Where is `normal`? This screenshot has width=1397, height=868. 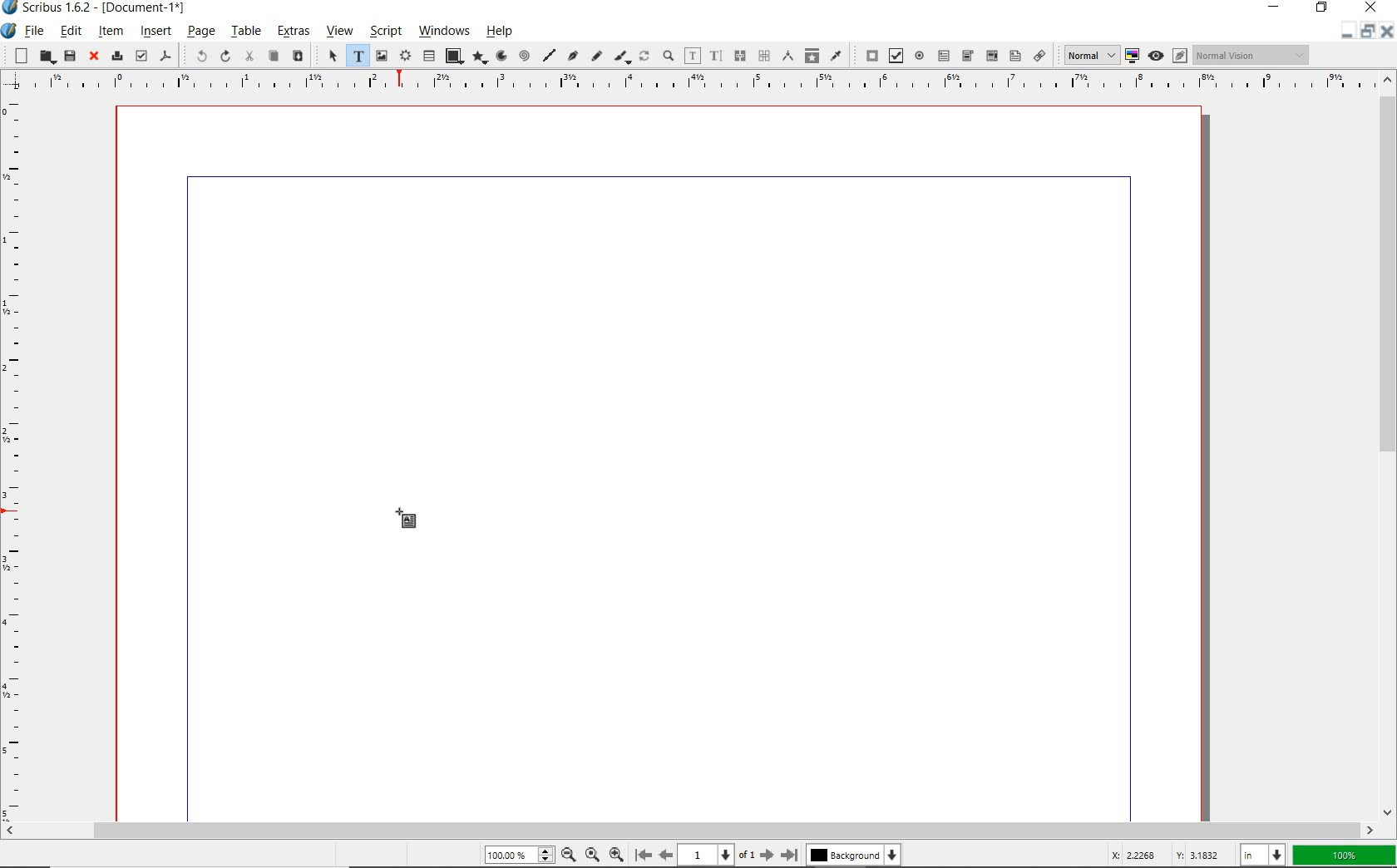 normal is located at coordinates (1088, 55).